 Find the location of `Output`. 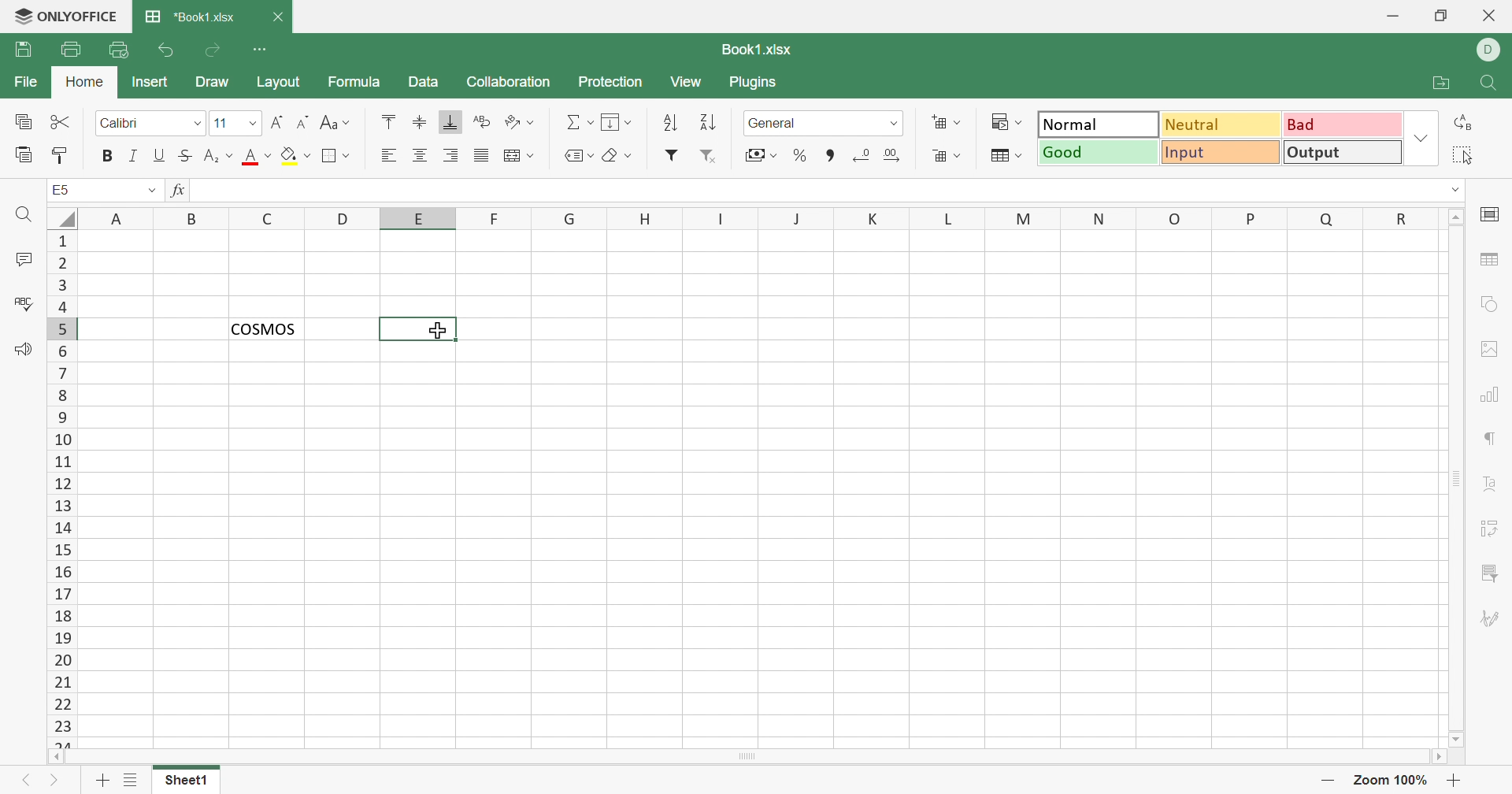

Output is located at coordinates (1341, 151).